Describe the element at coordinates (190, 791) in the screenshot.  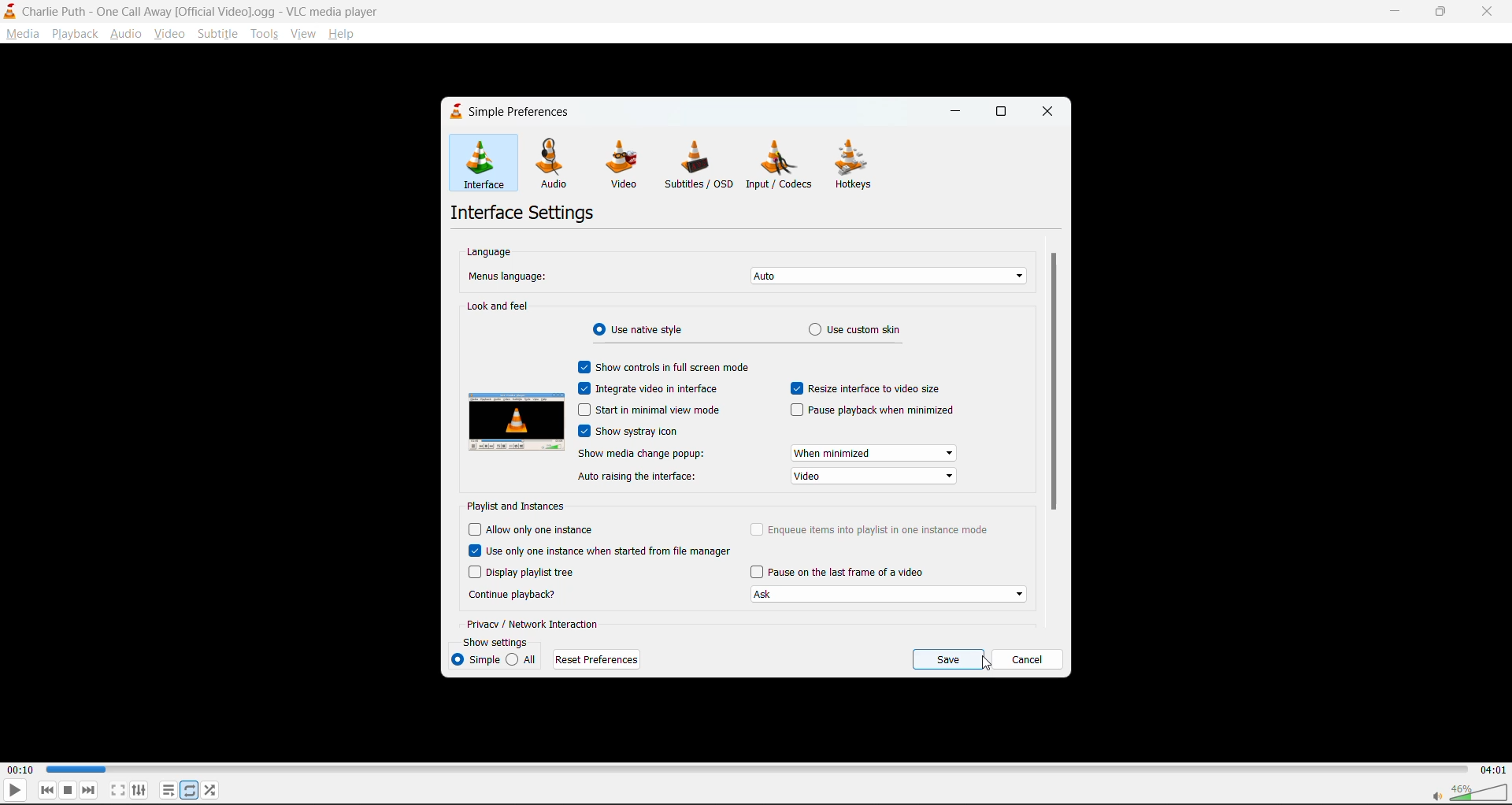
I see `loop` at that location.